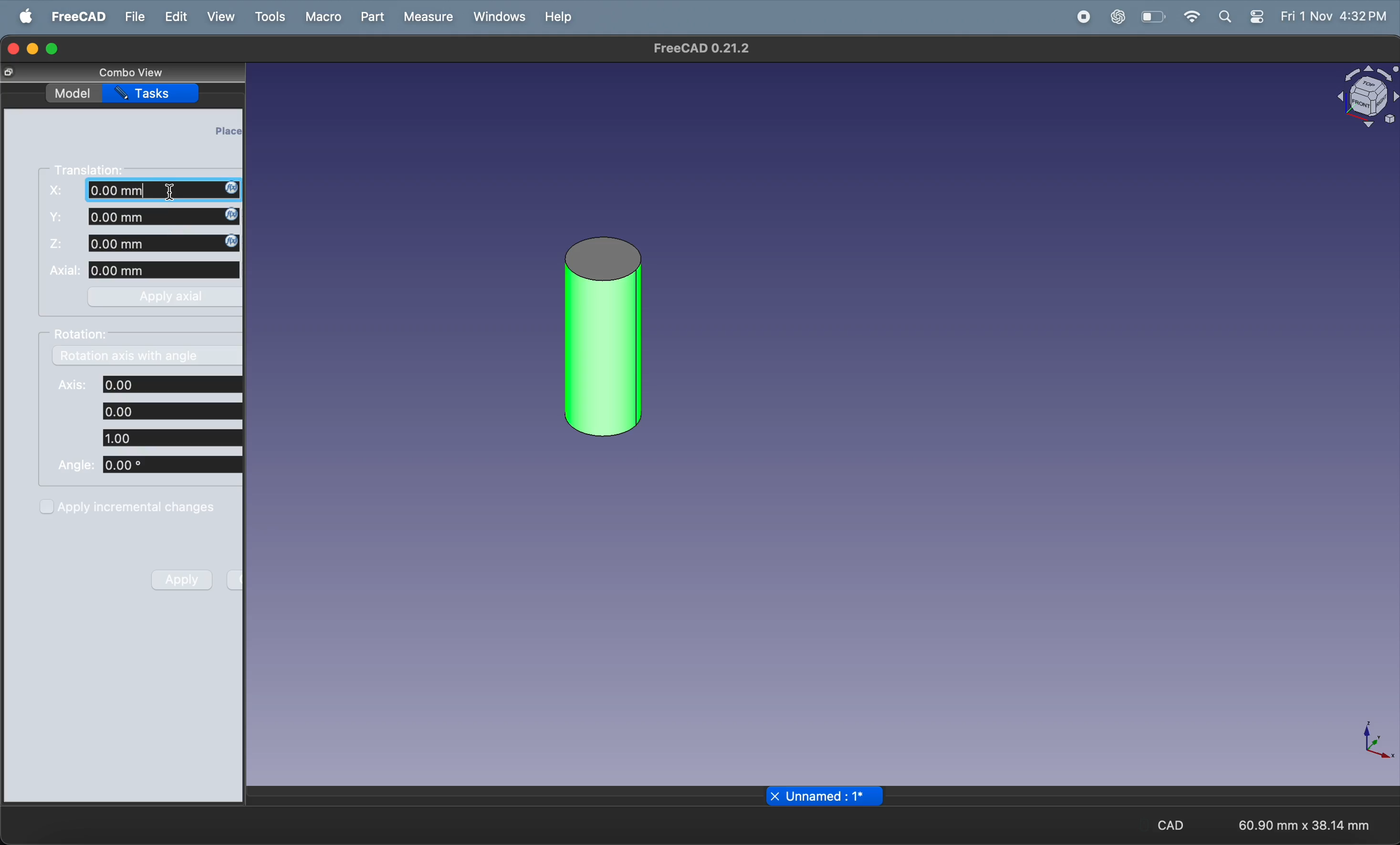 The width and height of the screenshot is (1400, 845). What do you see at coordinates (162, 216) in the screenshot?
I see `y distance` at bounding box center [162, 216].